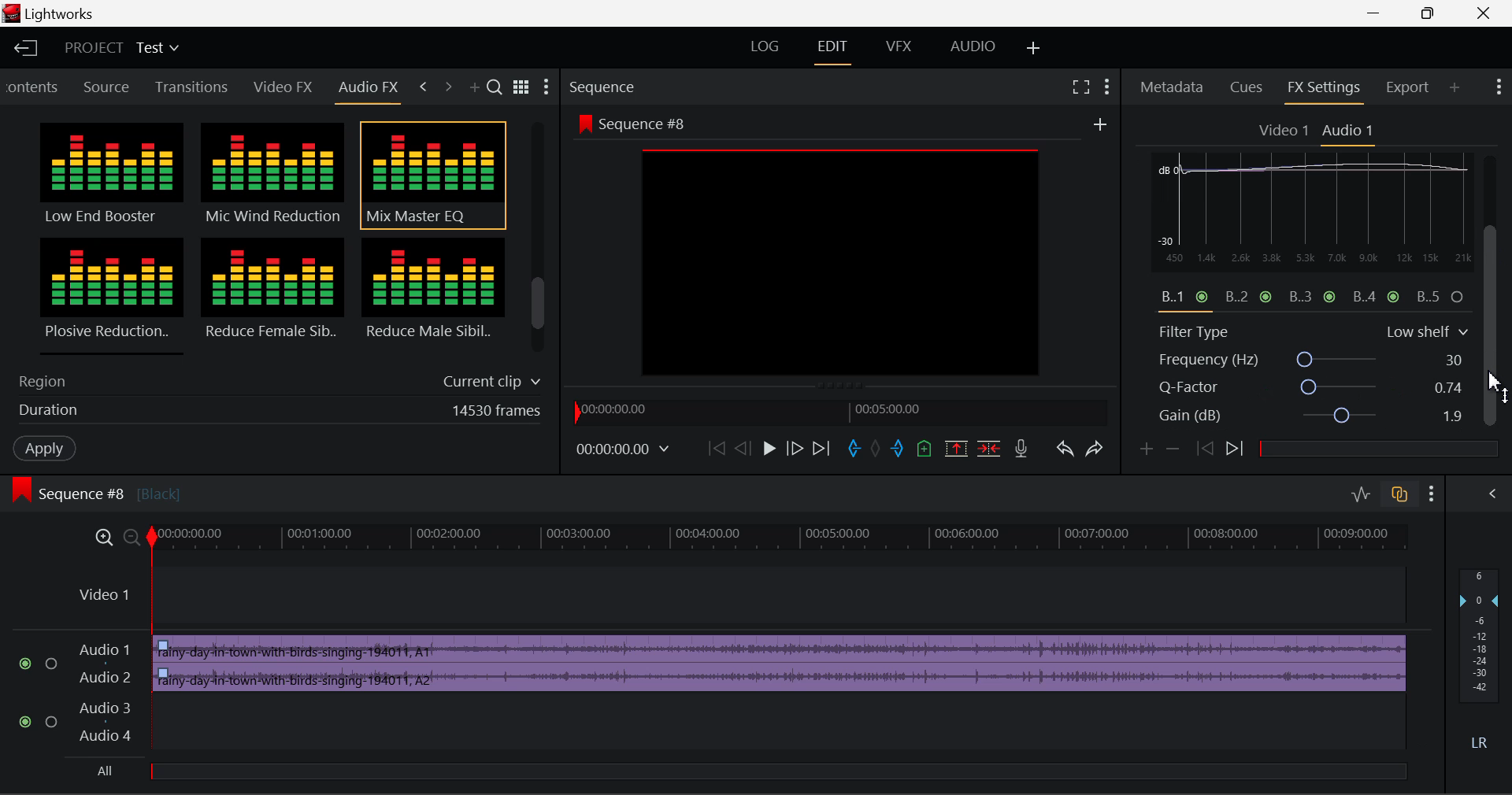 This screenshot has height=795, width=1512. Describe the element at coordinates (34, 85) in the screenshot. I see `Contents` at that location.